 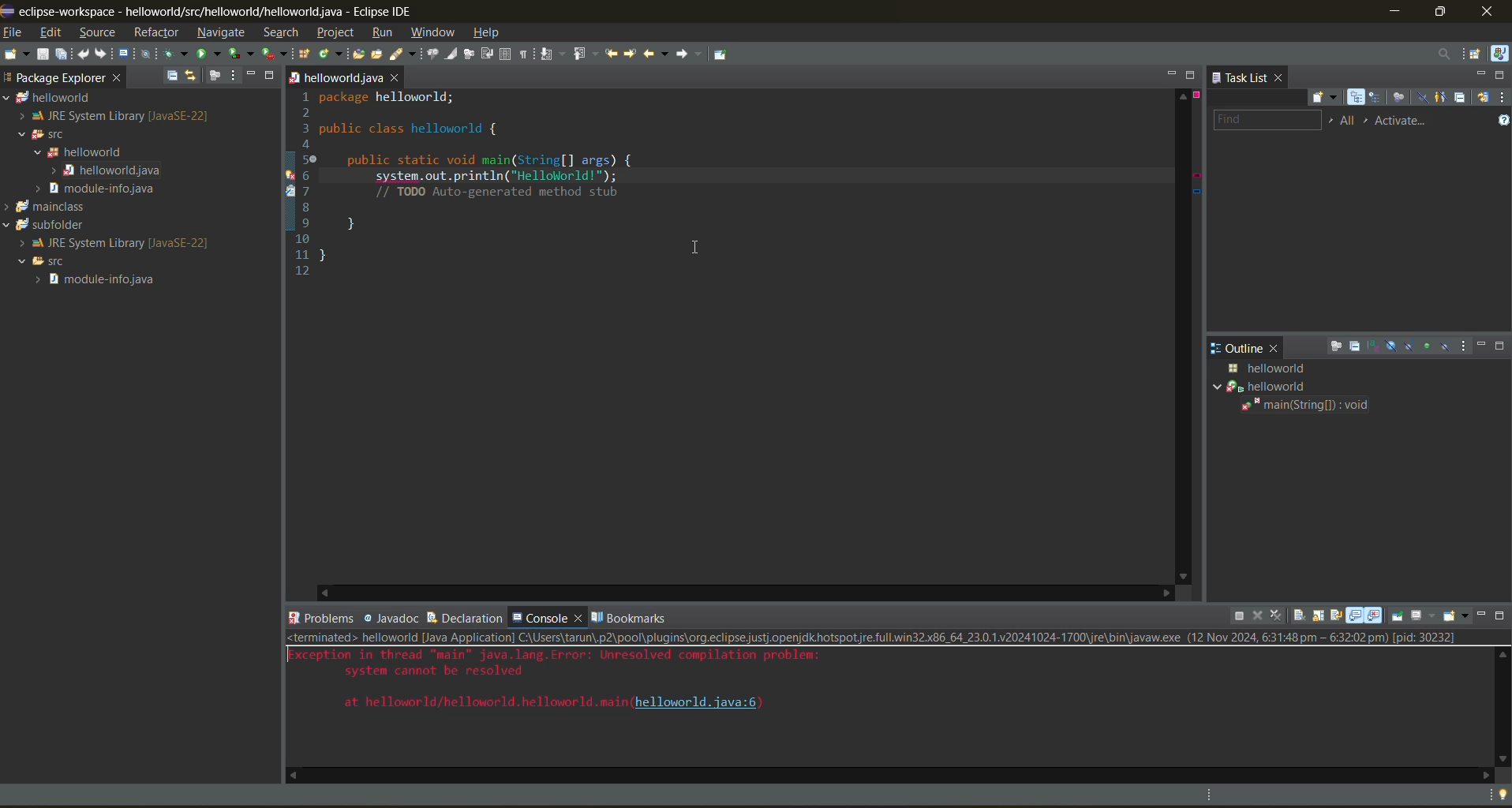 What do you see at coordinates (109, 282) in the screenshot?
I see `module info java` at bounding box center [109, 282].